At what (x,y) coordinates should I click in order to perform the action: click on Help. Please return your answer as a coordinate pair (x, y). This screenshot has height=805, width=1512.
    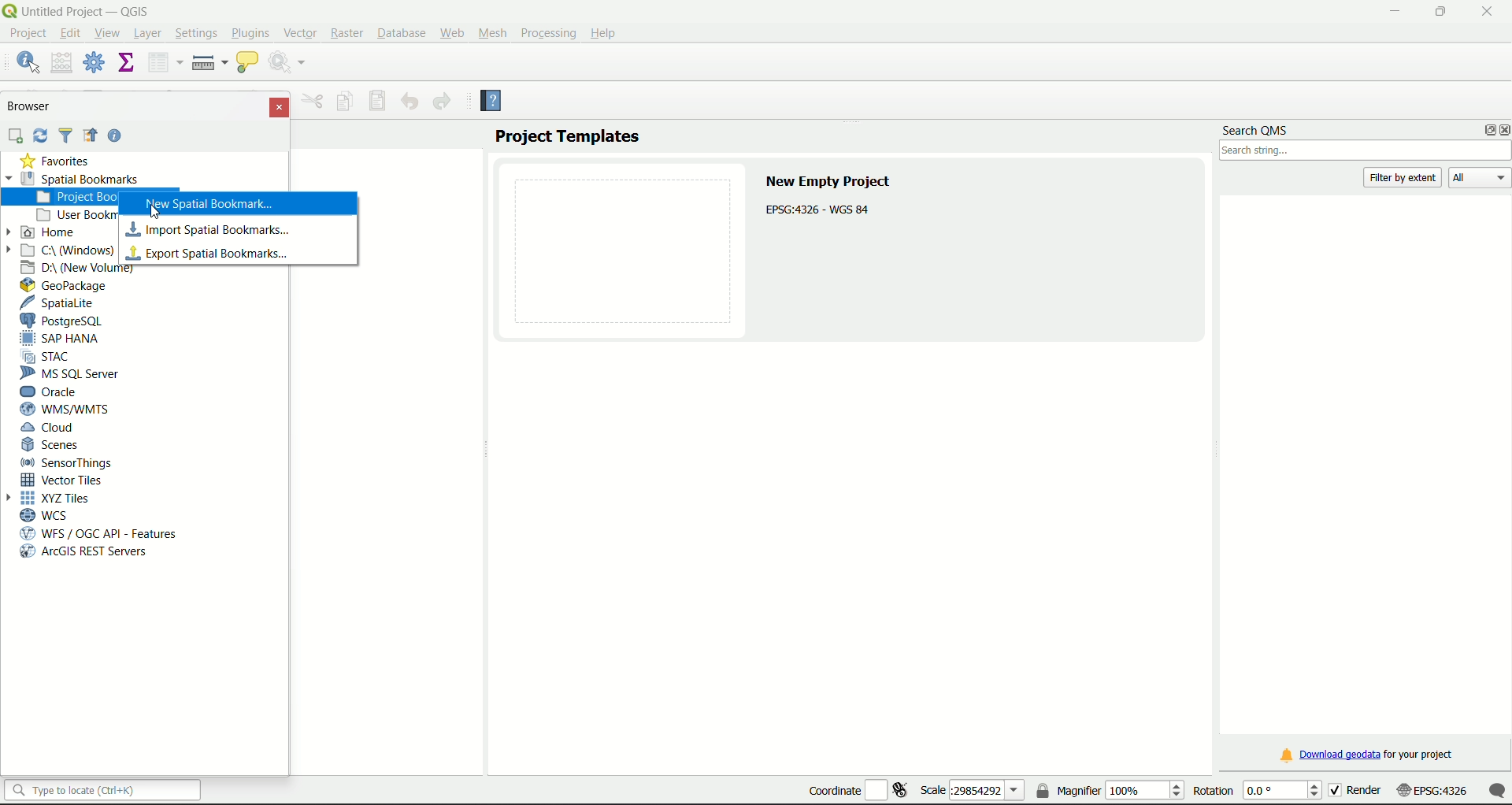
    Looking at the image, I should click on (603, 33).